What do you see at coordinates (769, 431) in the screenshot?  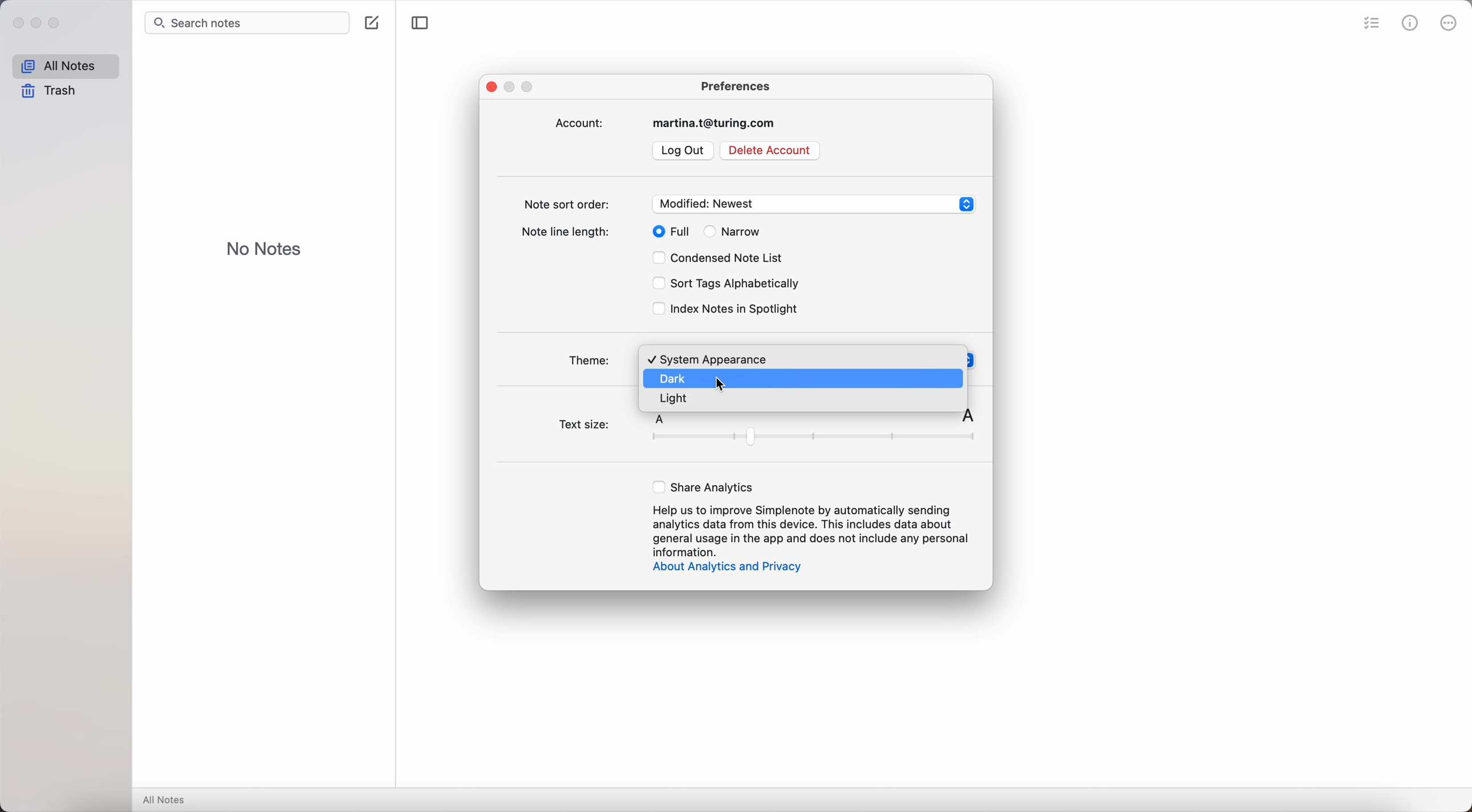 I see `text size` at bounding box center [769, 431].